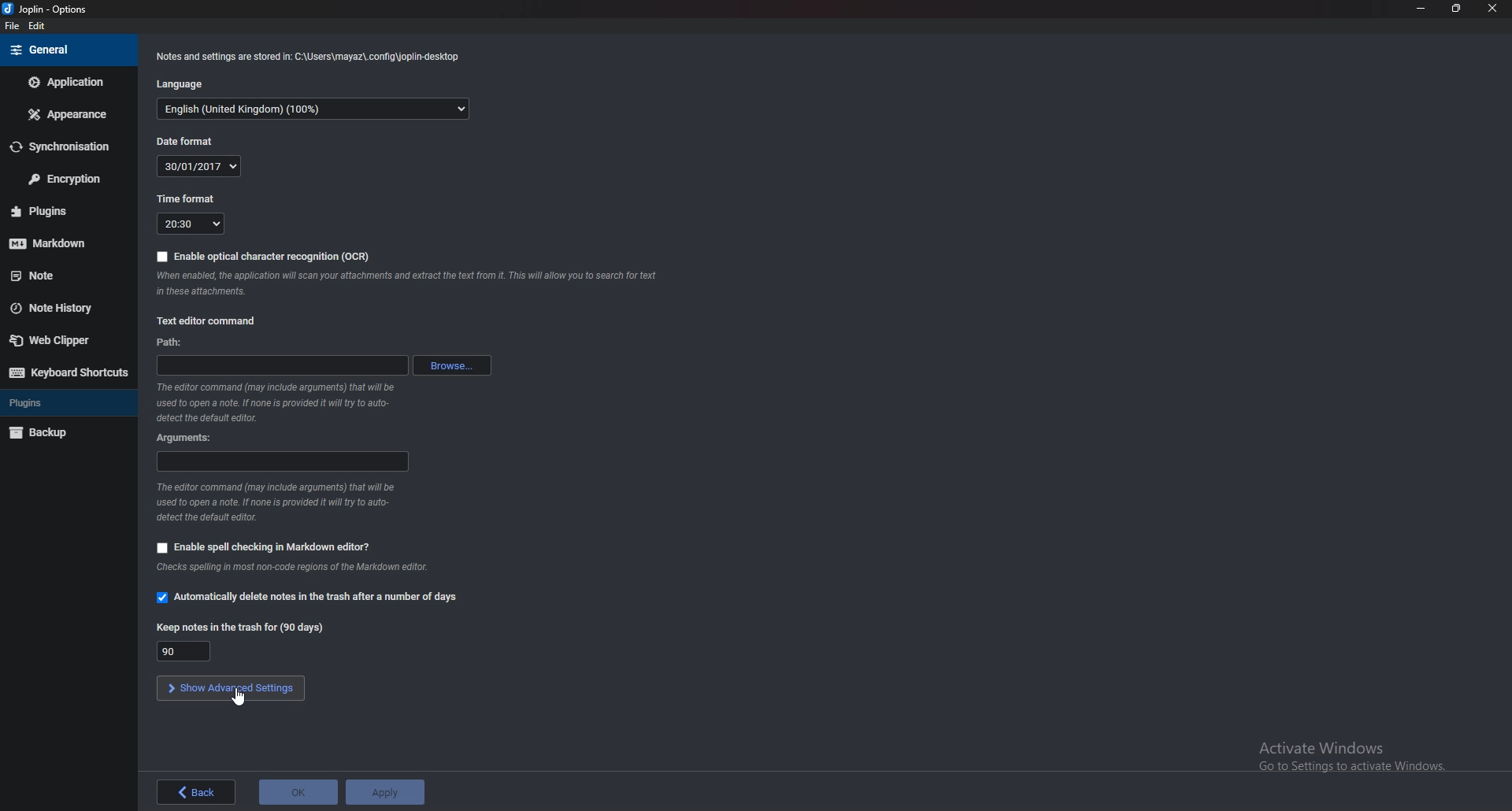 Image resolution: width=1512 pixels, height=811 pixels. Describe the element at coordinates (66, 306) in the screenshot. I see `Note history` at that location.